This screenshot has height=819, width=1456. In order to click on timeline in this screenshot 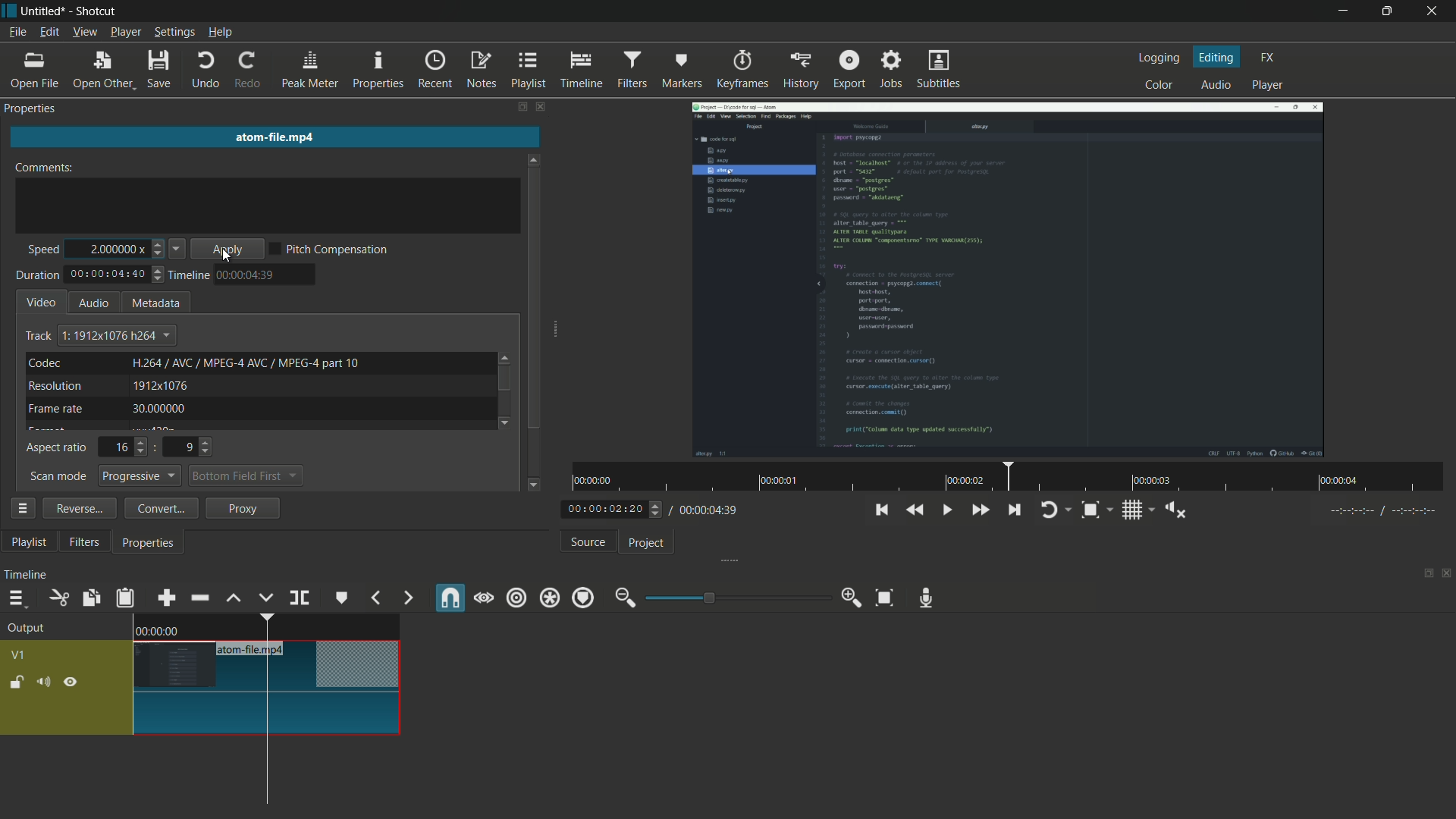, I will do `click(27, 576)`.